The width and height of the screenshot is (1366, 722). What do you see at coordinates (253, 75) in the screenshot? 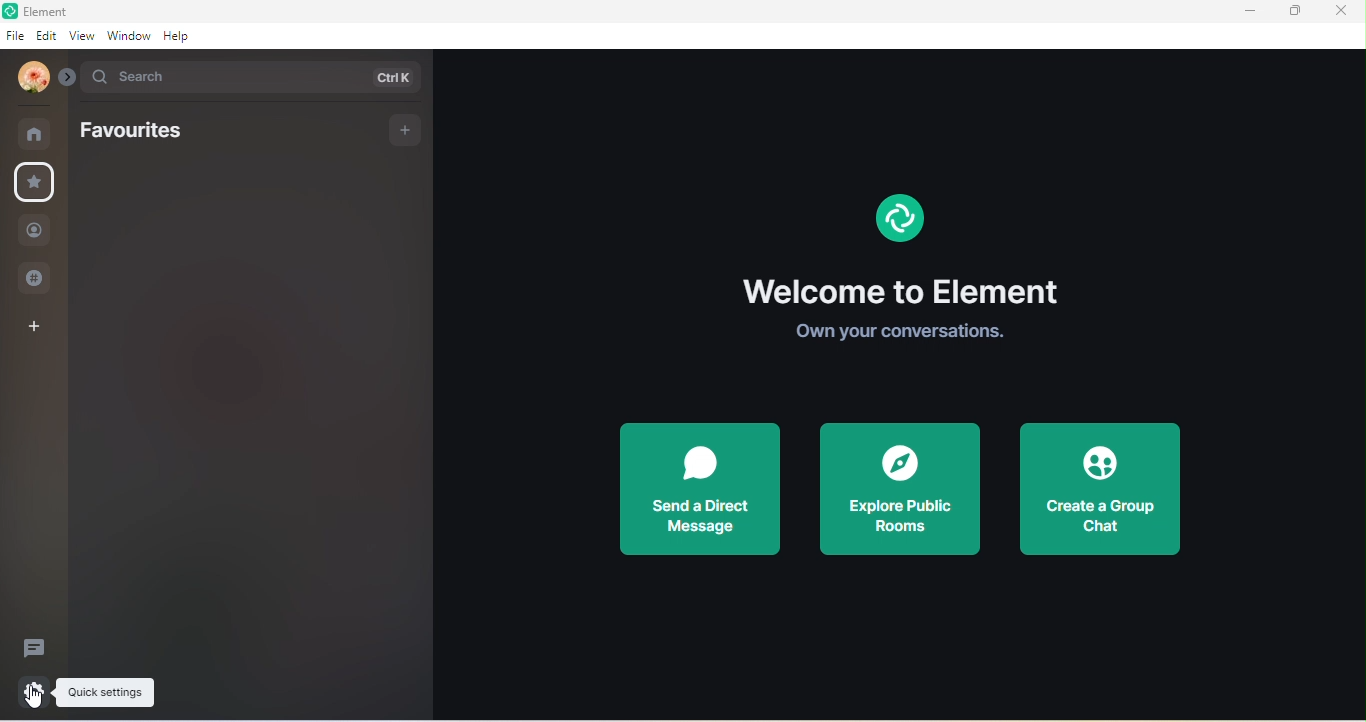
I see `search` at bounding box center [253, 75].